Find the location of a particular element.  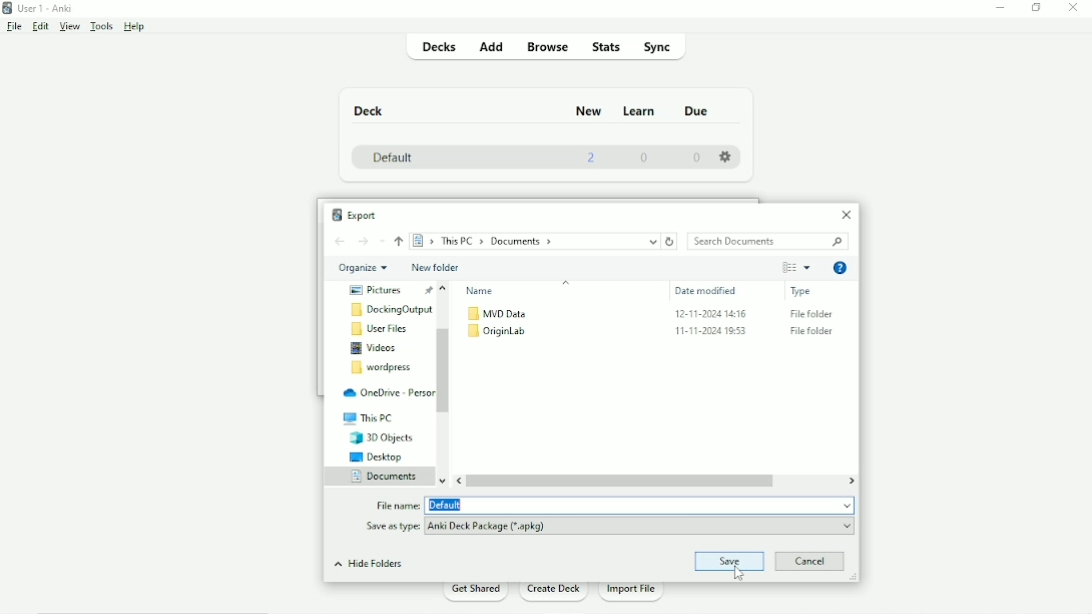

0 is located at coordinates (696, 158).